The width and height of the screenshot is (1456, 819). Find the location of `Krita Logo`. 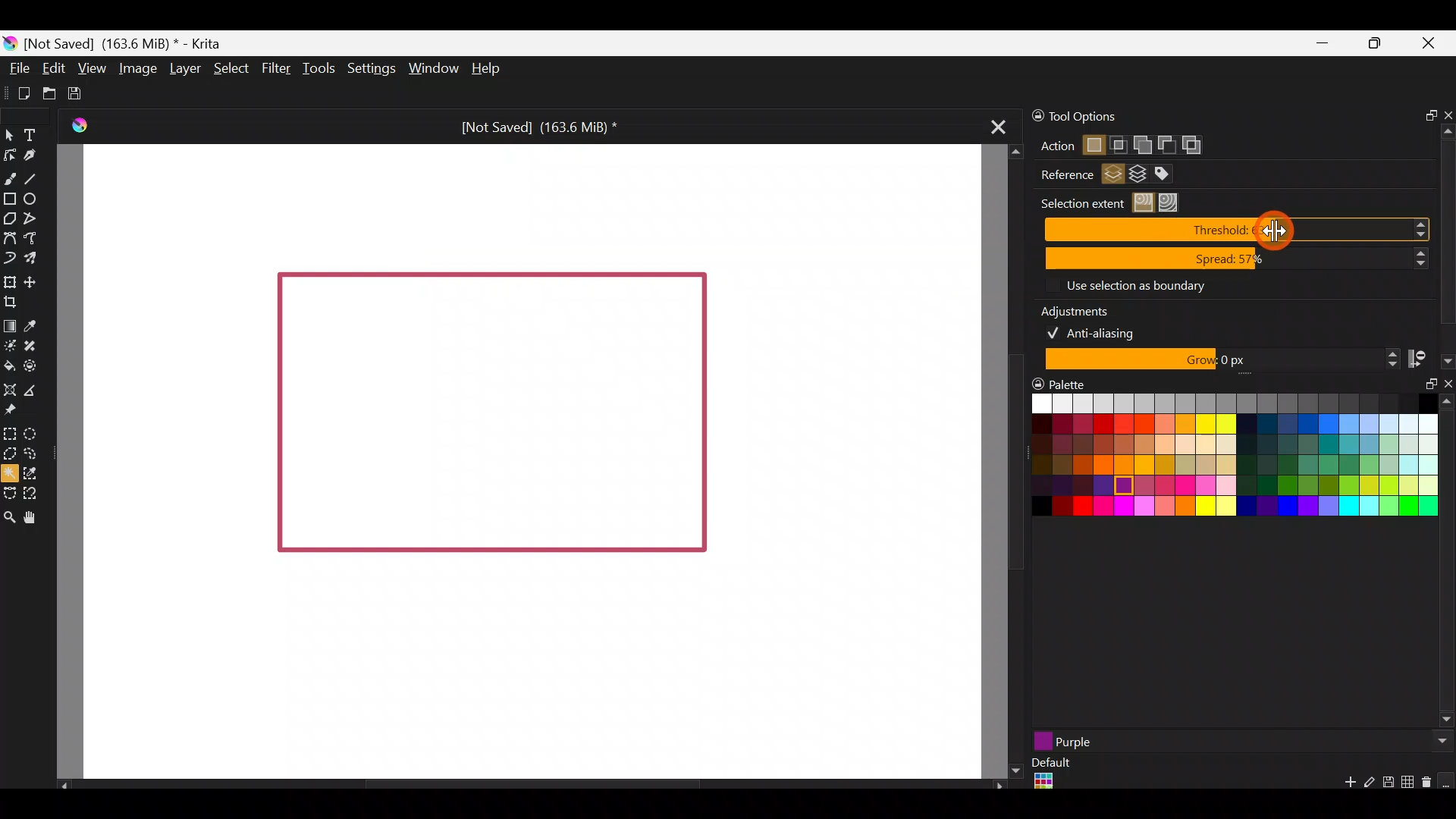

Krita Logo is located at coordinates (80, 124).